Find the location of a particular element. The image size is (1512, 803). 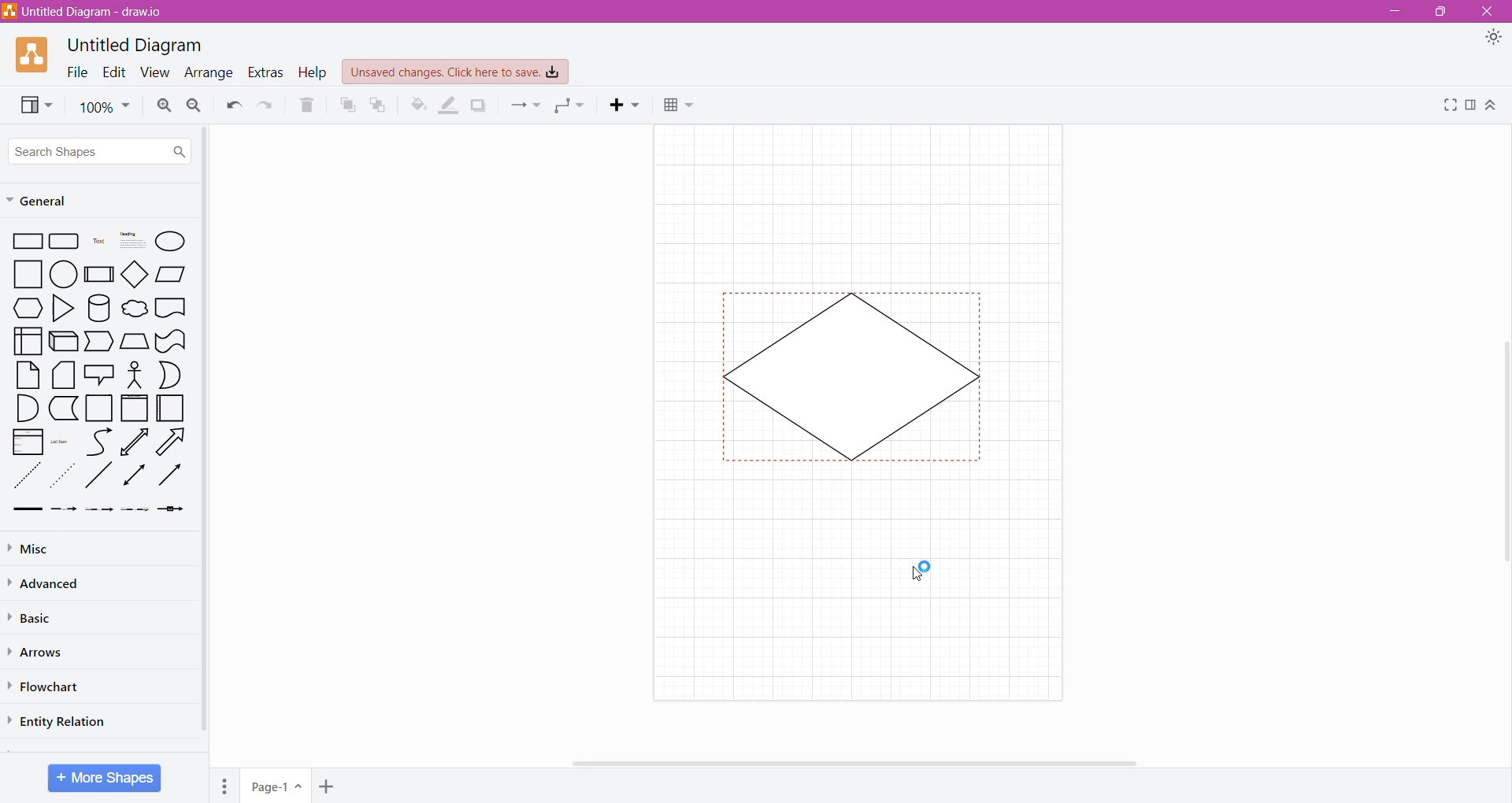

Unsaved Changes. Click here to save is located at coordinates (455, 72).